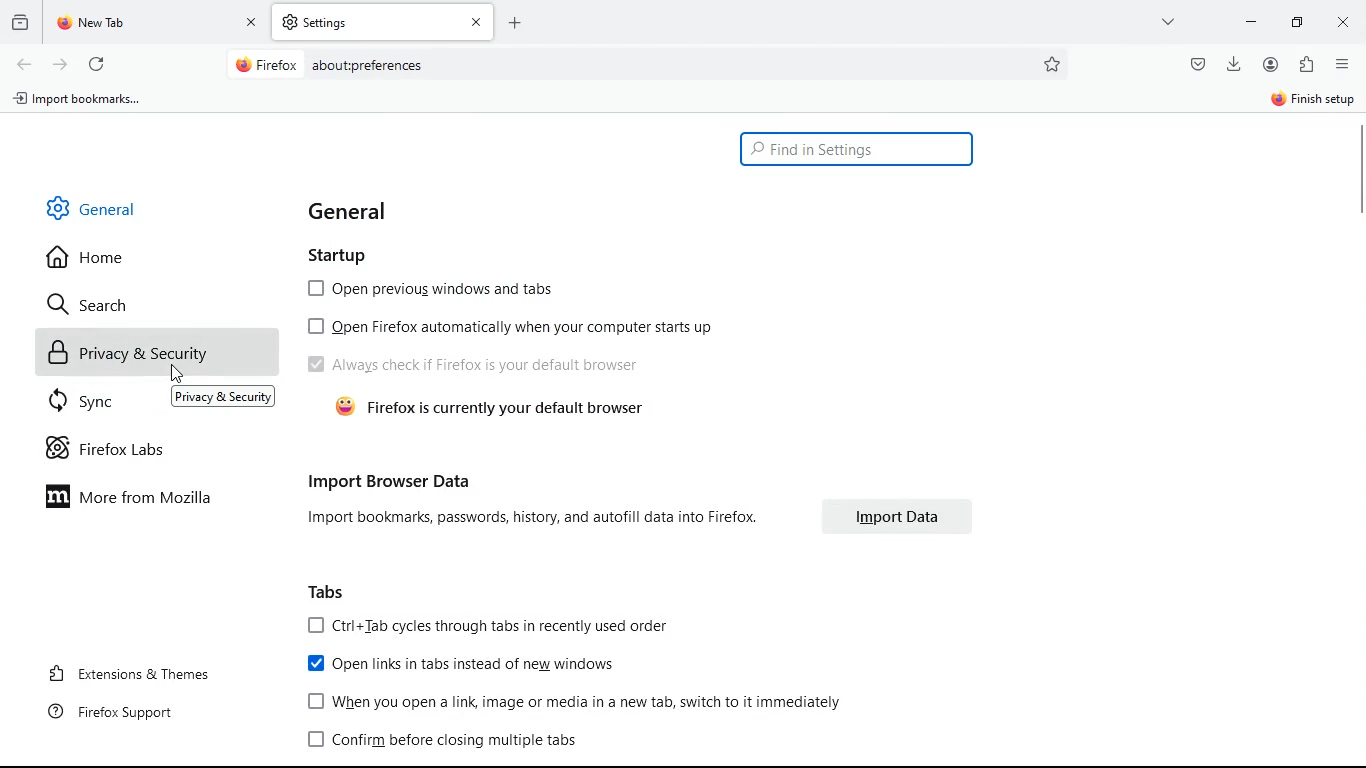 Image resolution: width=1366 pixels, height=768 pixels. Describe the element at coordinates (1275, 64) in the screenshot. I see `profile` at that location.